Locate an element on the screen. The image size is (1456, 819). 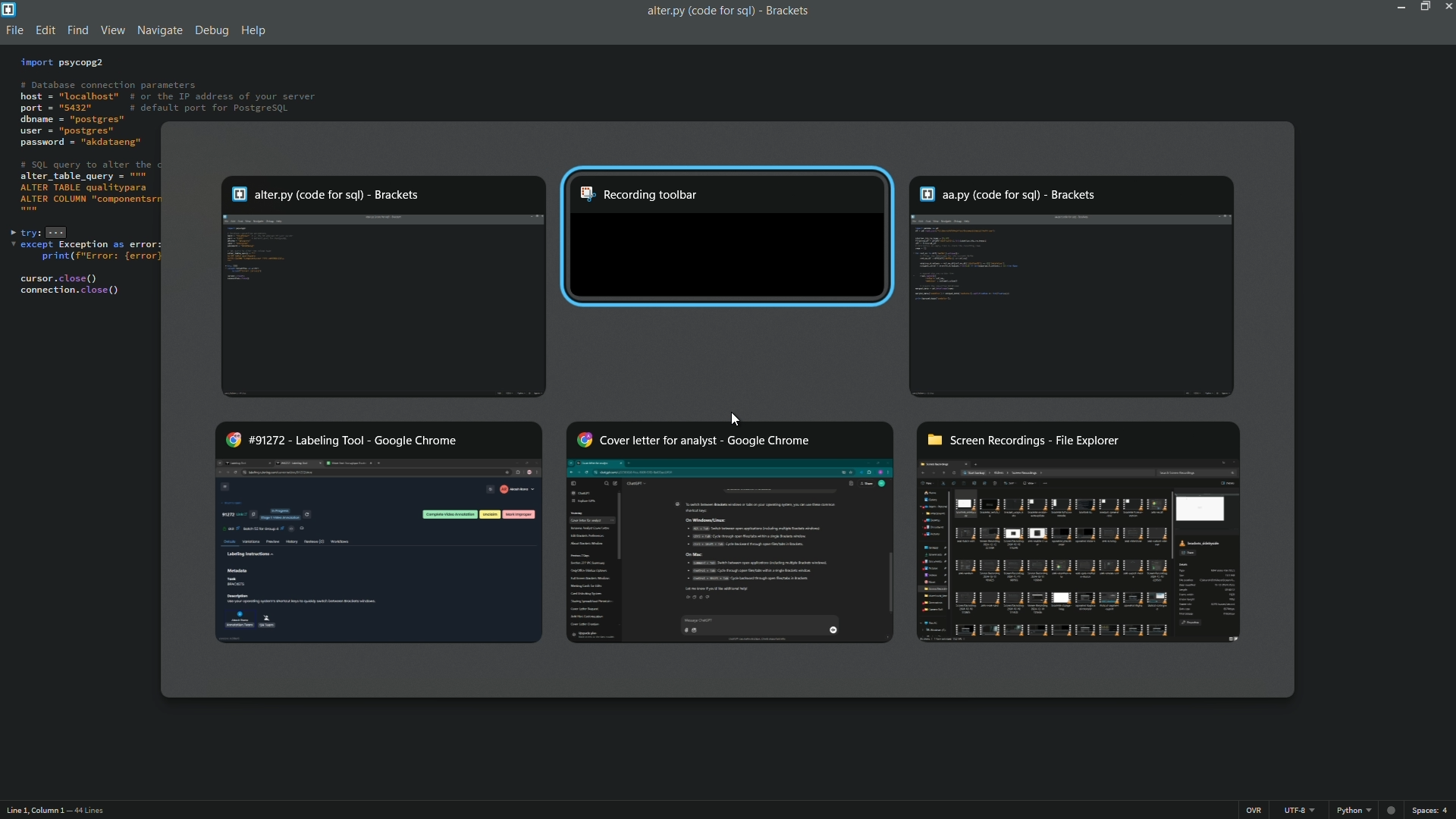
minimize is located at coordinates (1398, 8).